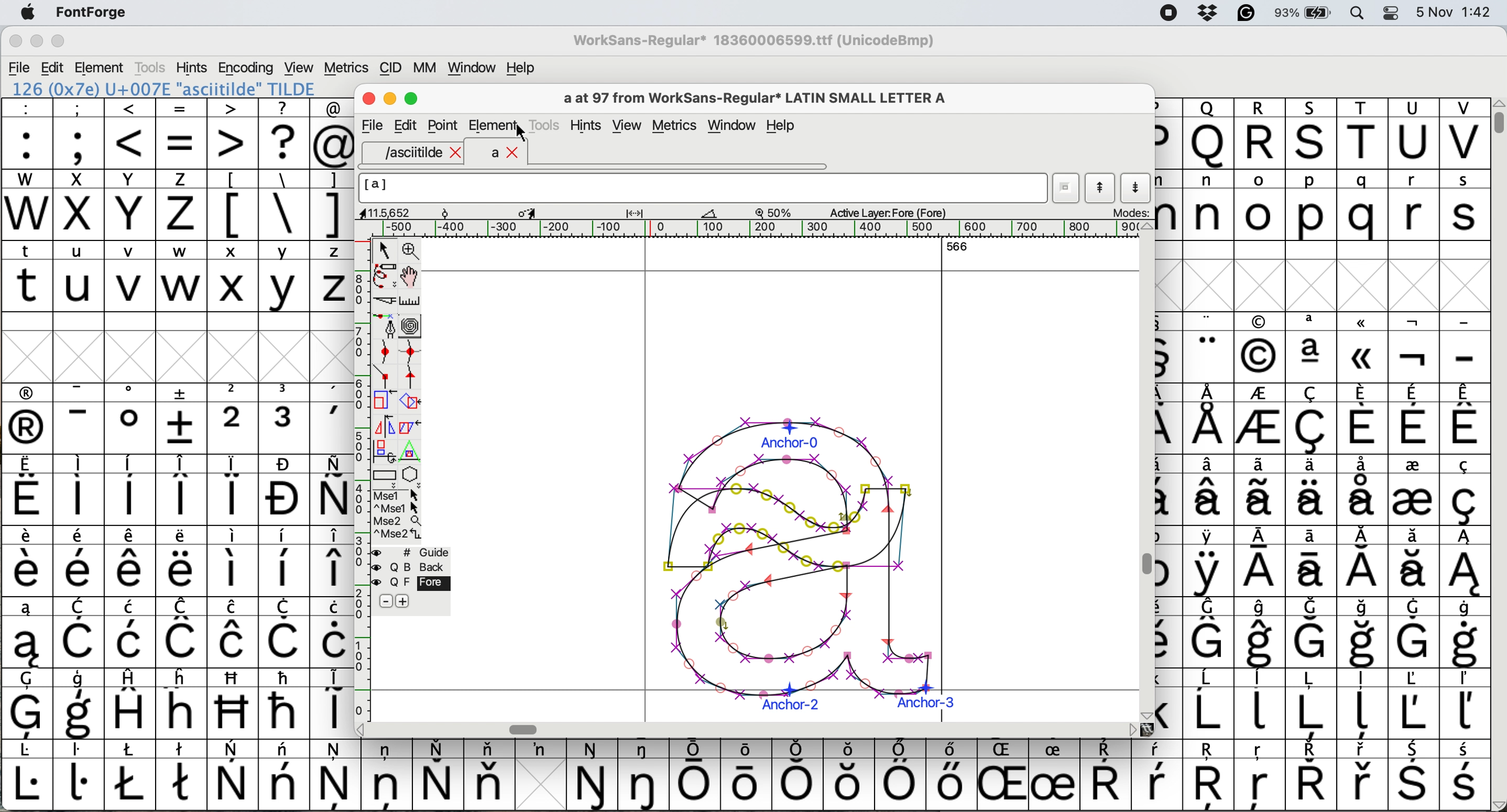 Image resolution: width=1507 pixels, height=812 pixels. Describe the element at coordinates (282, 277) in the screenshot. I see `y` at that location.